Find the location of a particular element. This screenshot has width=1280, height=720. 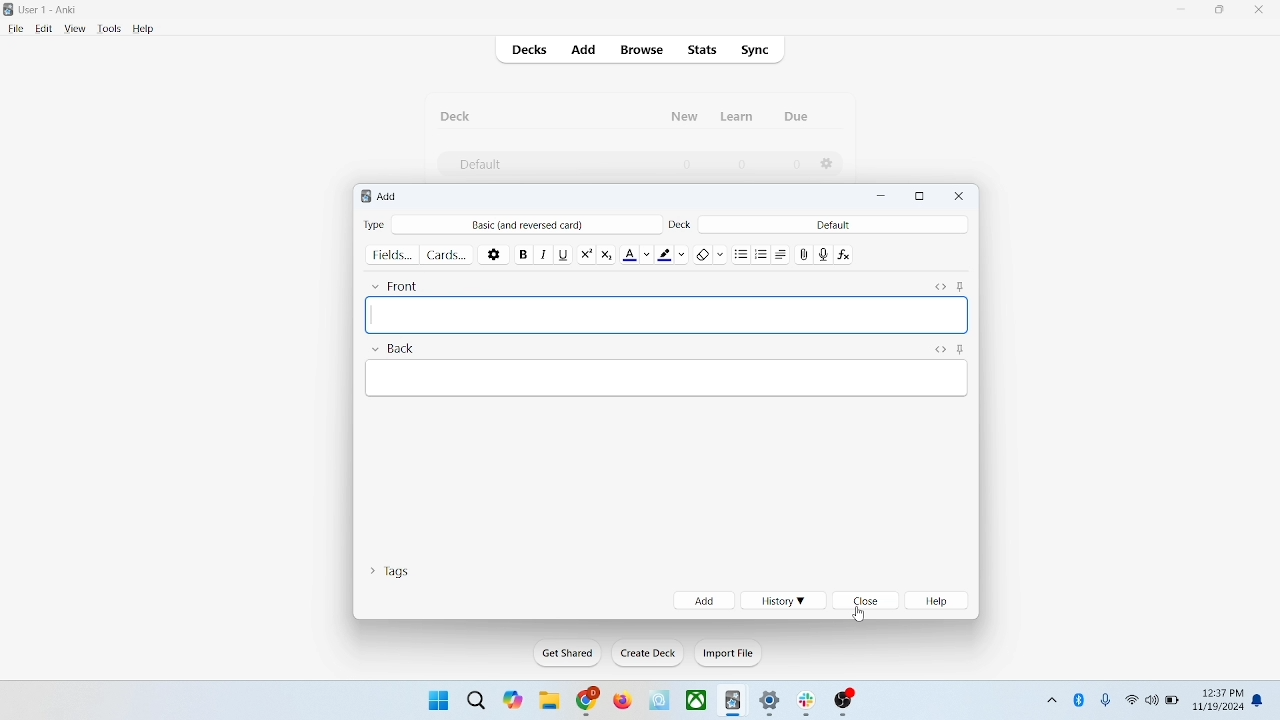

remove formatting is located at coordinates (711, 252).